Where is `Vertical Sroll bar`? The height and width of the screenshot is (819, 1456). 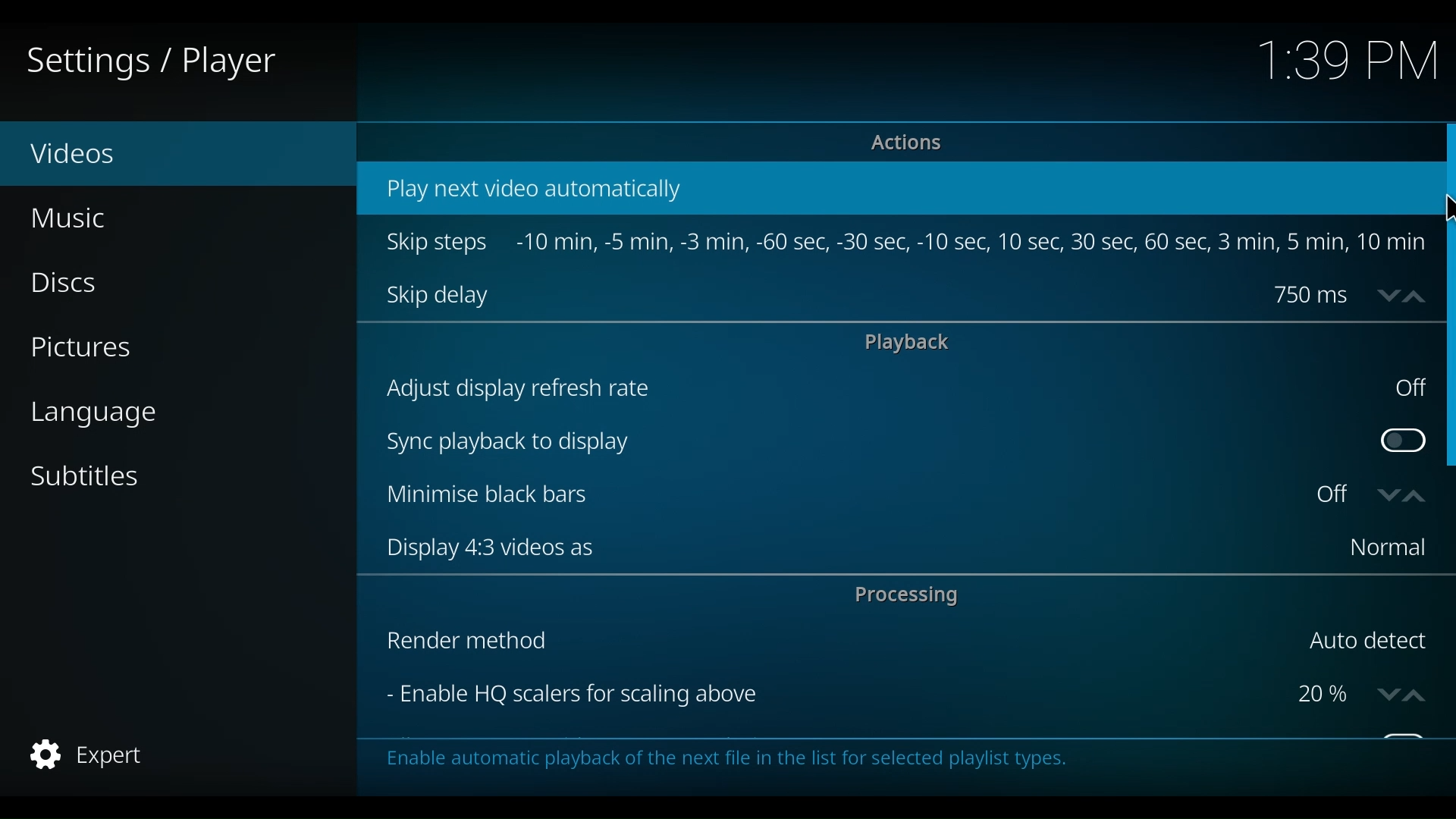
Vertical Sroll bar is located at coordinates (1447, 349).